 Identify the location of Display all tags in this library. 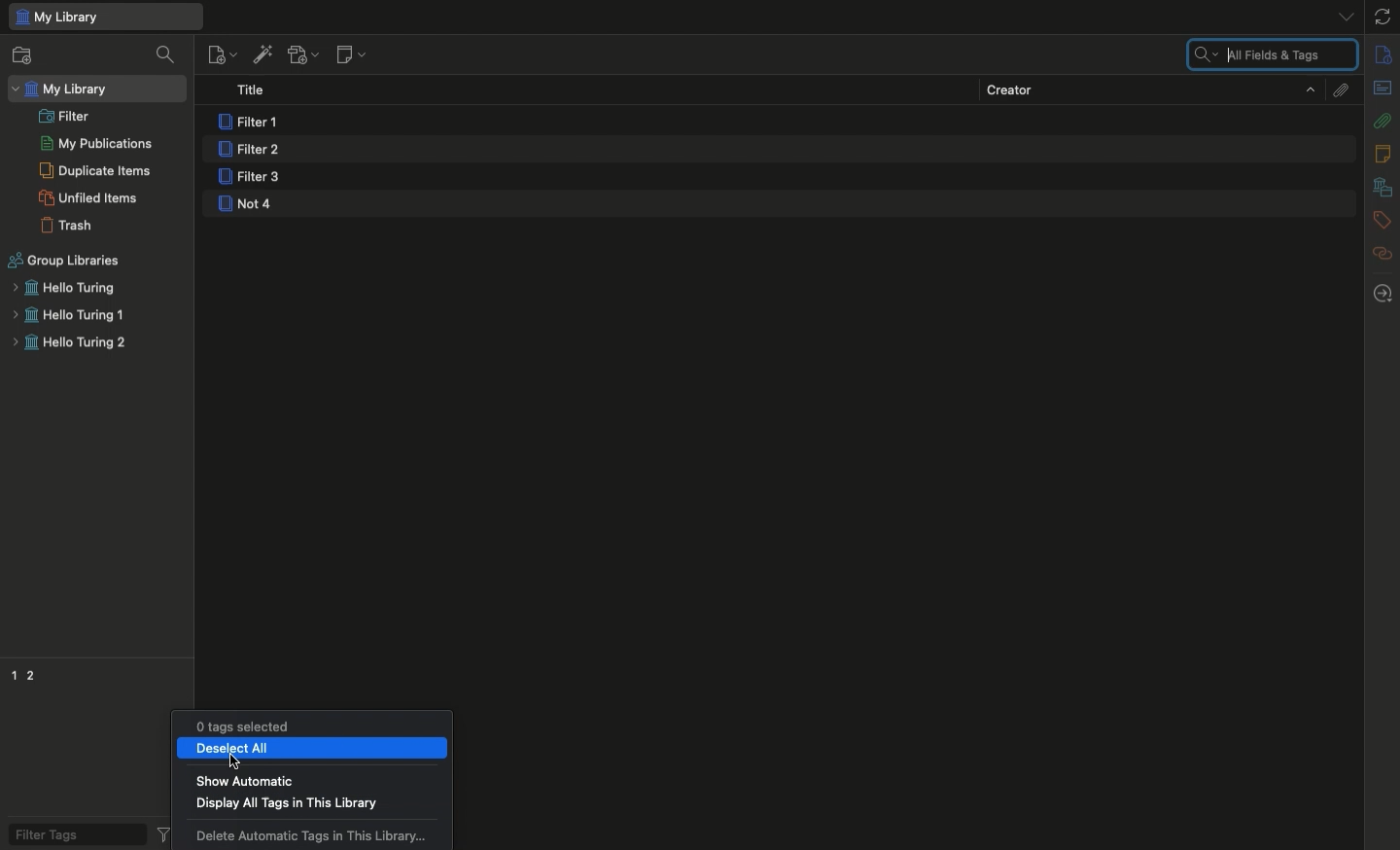
(285, 805).